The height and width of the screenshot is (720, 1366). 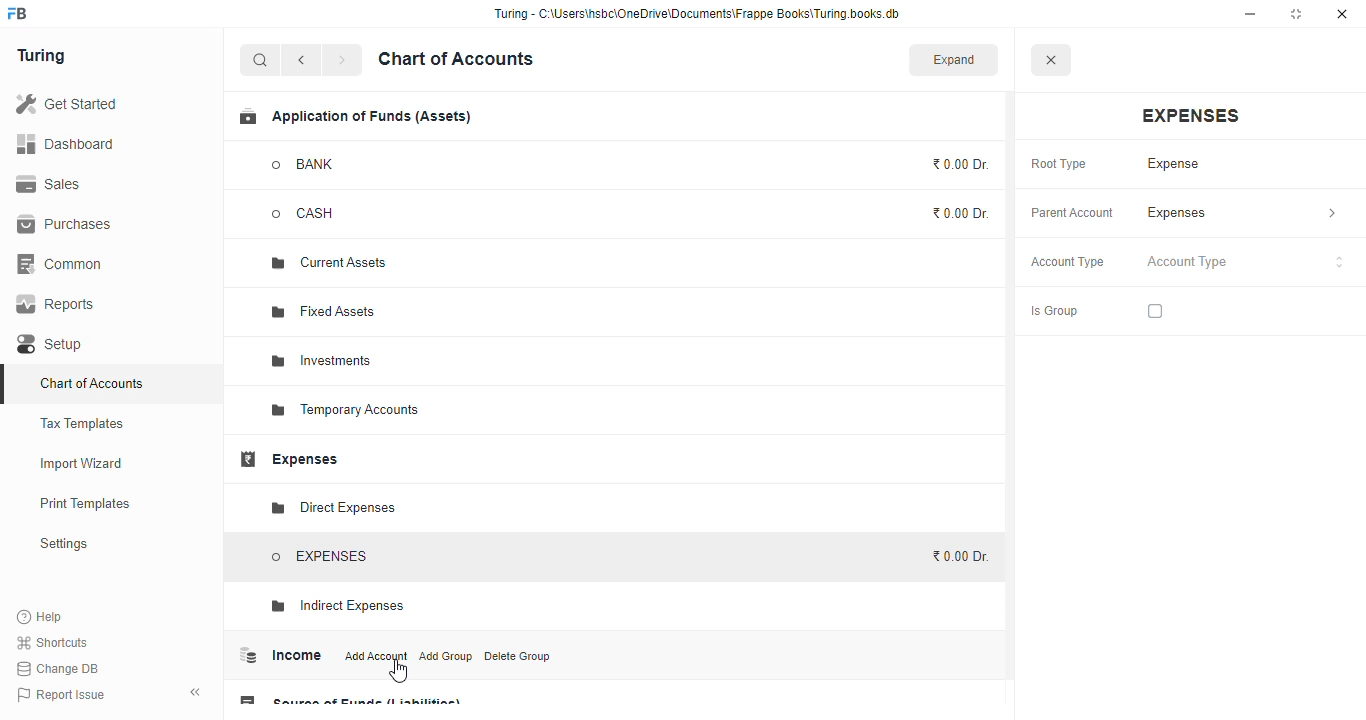 What do you see at coordinates (1296, 14) in the screenshot?
I see `maximize` at bounding box center [1296, 14].